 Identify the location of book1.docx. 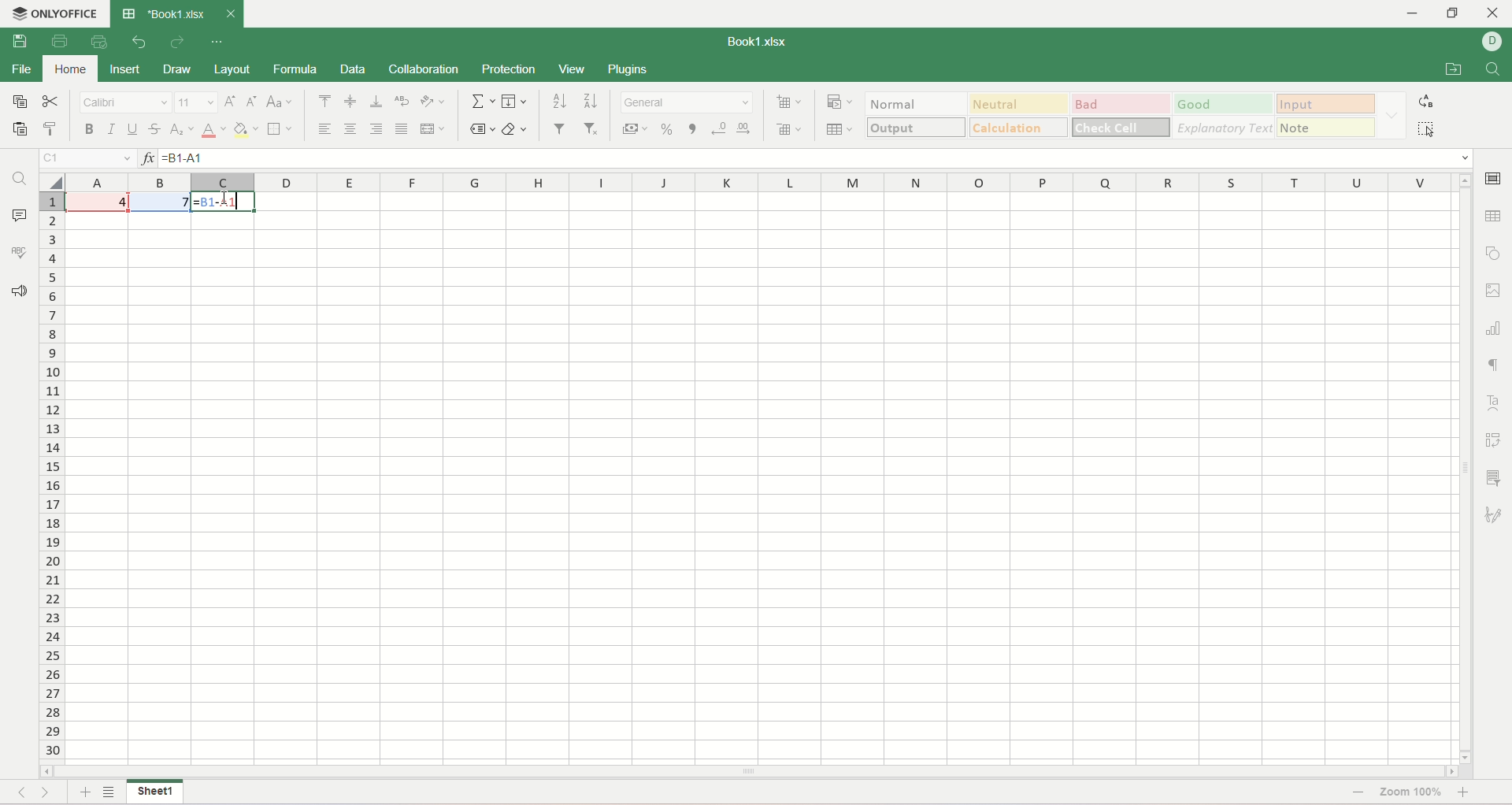
(760, 42).